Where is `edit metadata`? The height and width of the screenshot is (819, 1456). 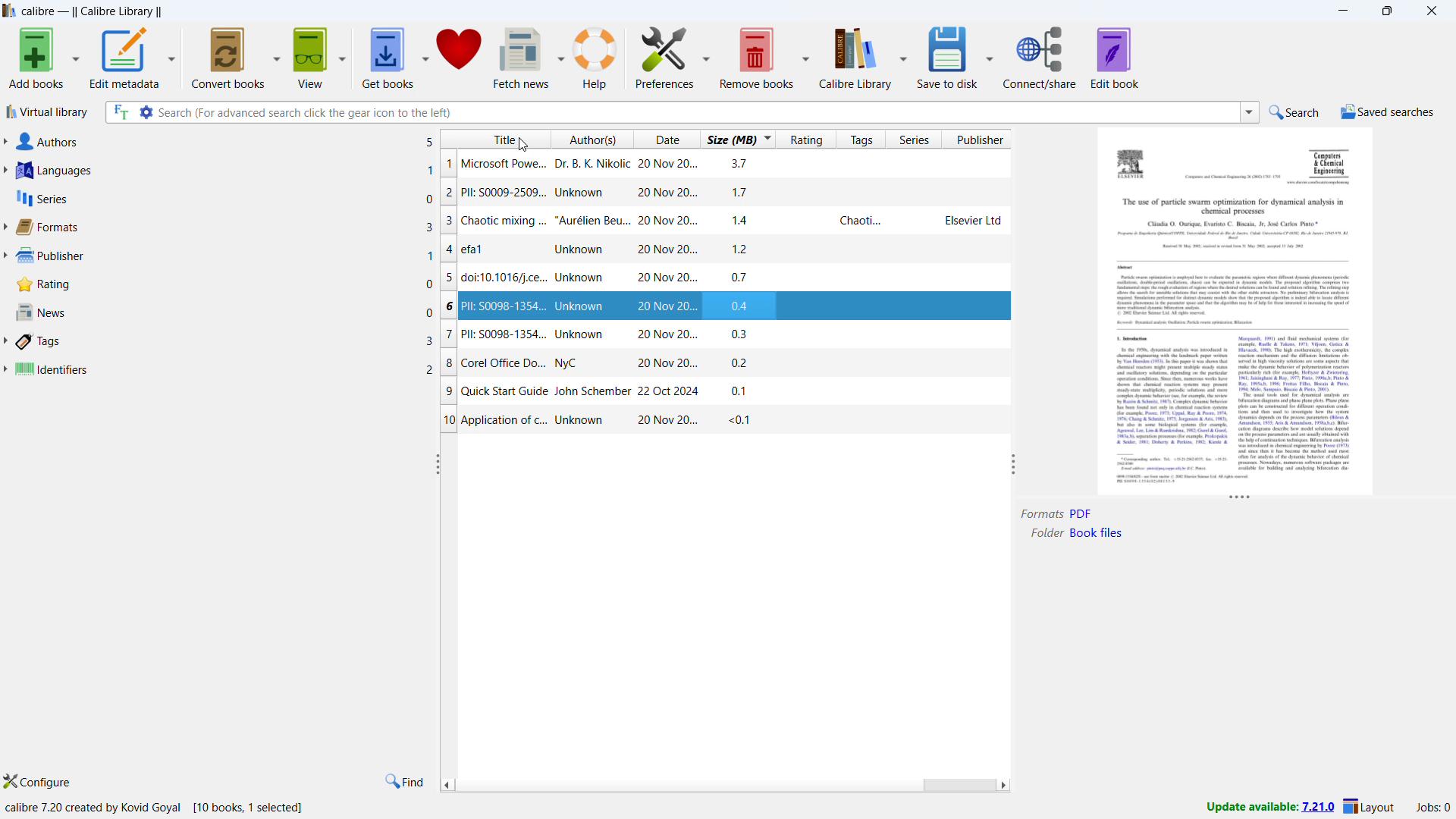
edit metadata is located at coordinates (122, 58).